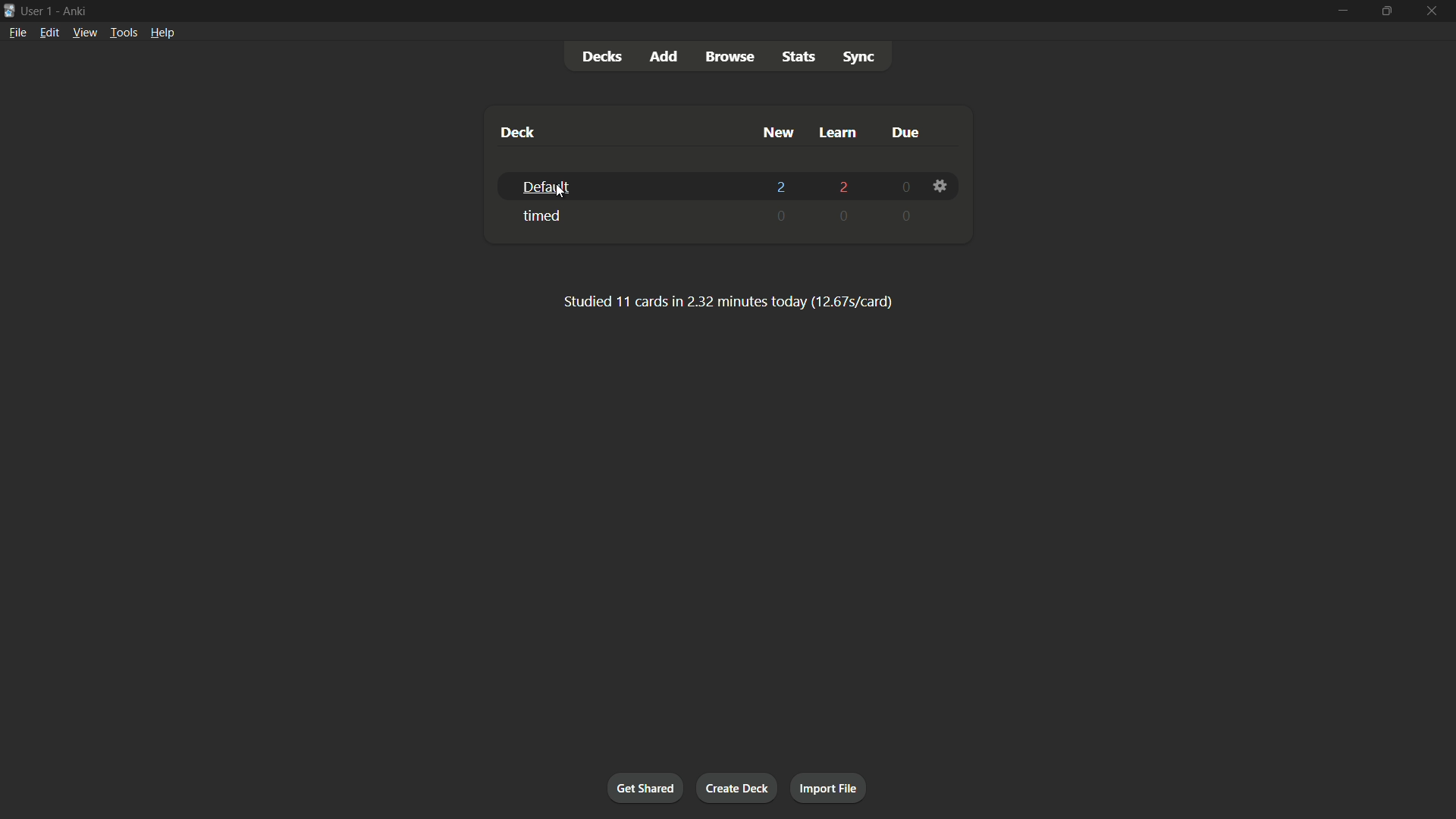  Describe the element at coordinates (830, 788) in the screenshot. I see `import file` at that location.